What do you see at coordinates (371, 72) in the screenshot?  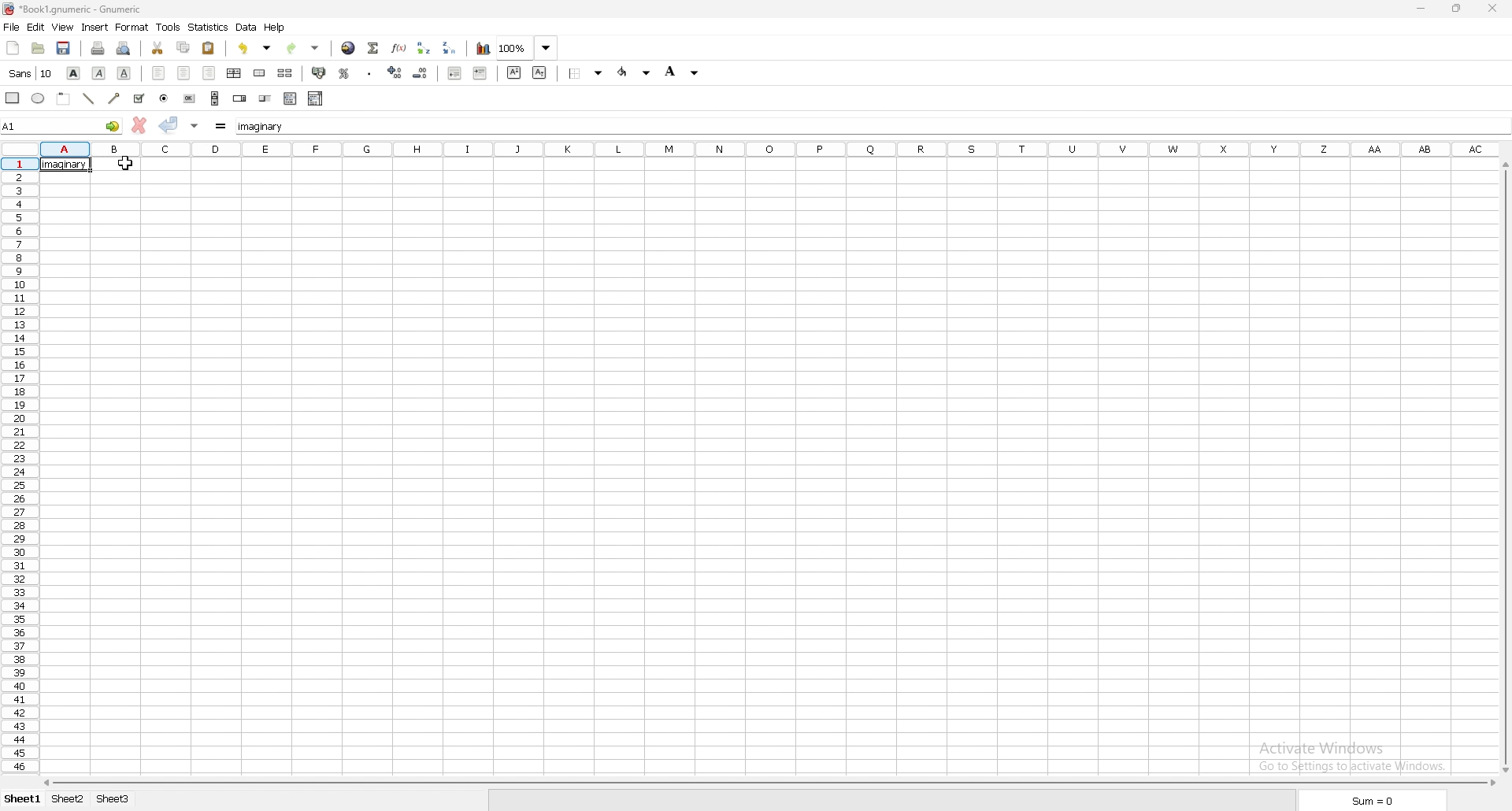 I see `thousands separator` at bounding box center [371, 72].